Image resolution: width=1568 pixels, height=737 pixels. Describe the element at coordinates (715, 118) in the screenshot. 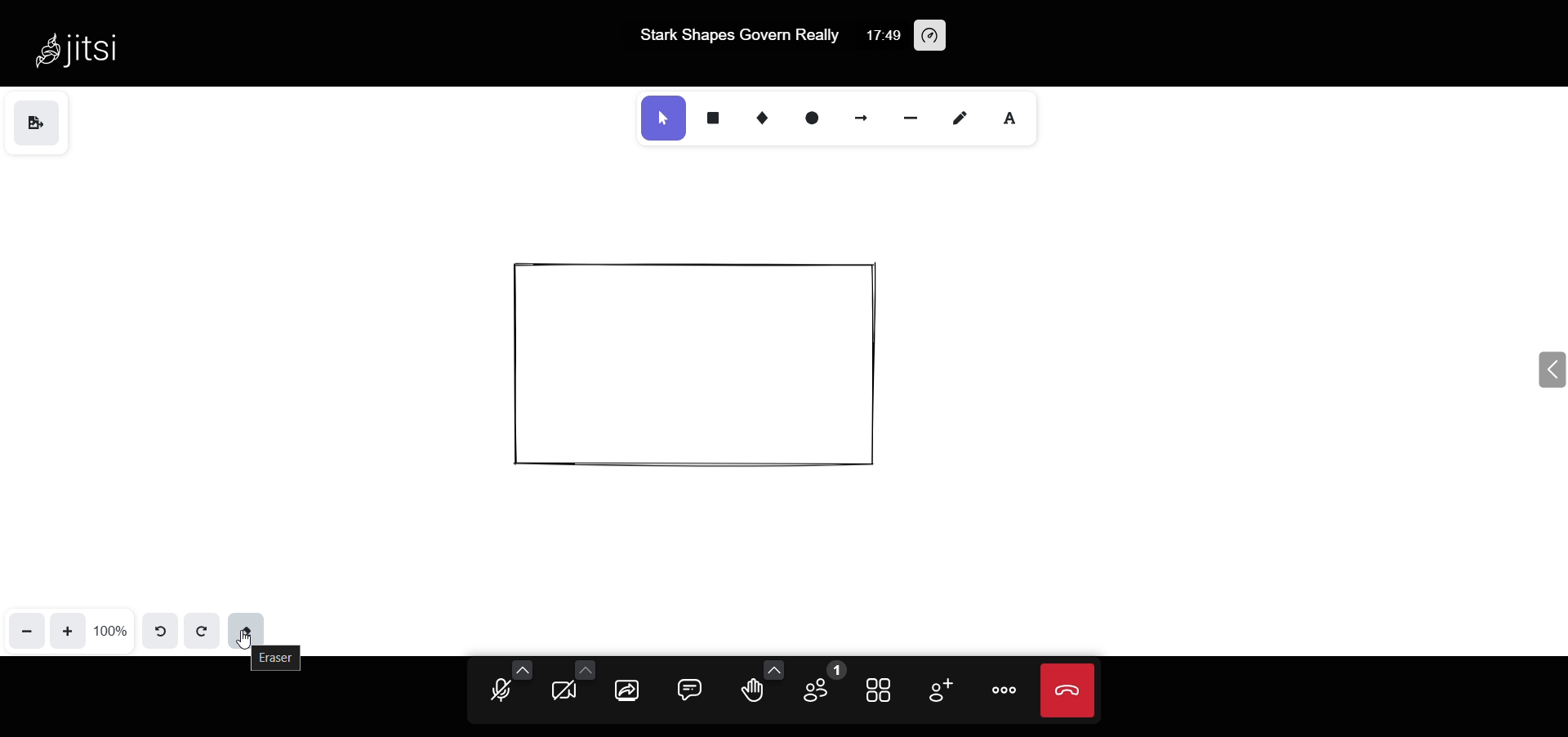

I see `rectangle` at that location.